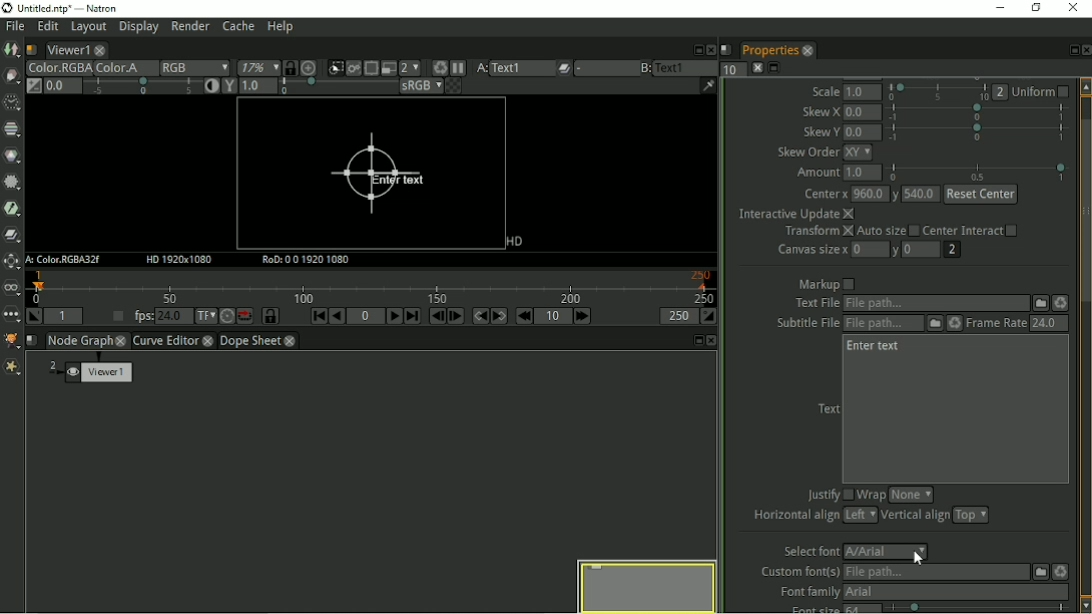 This screenshot has width=1092, height=614. I want to click on Enter text, so click(375, 175).